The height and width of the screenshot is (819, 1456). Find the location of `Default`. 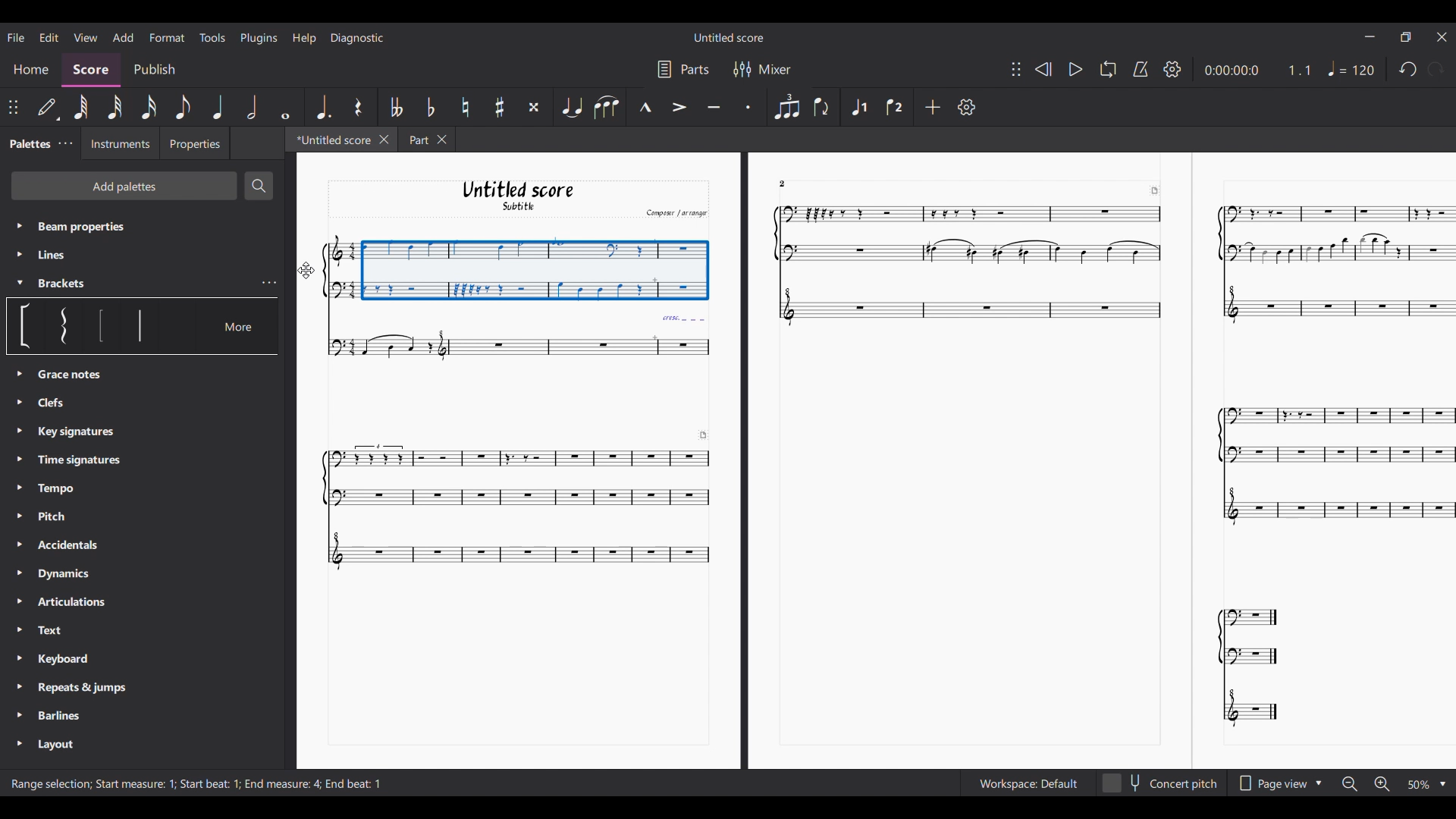

Default is located at coordinates (48, 109).